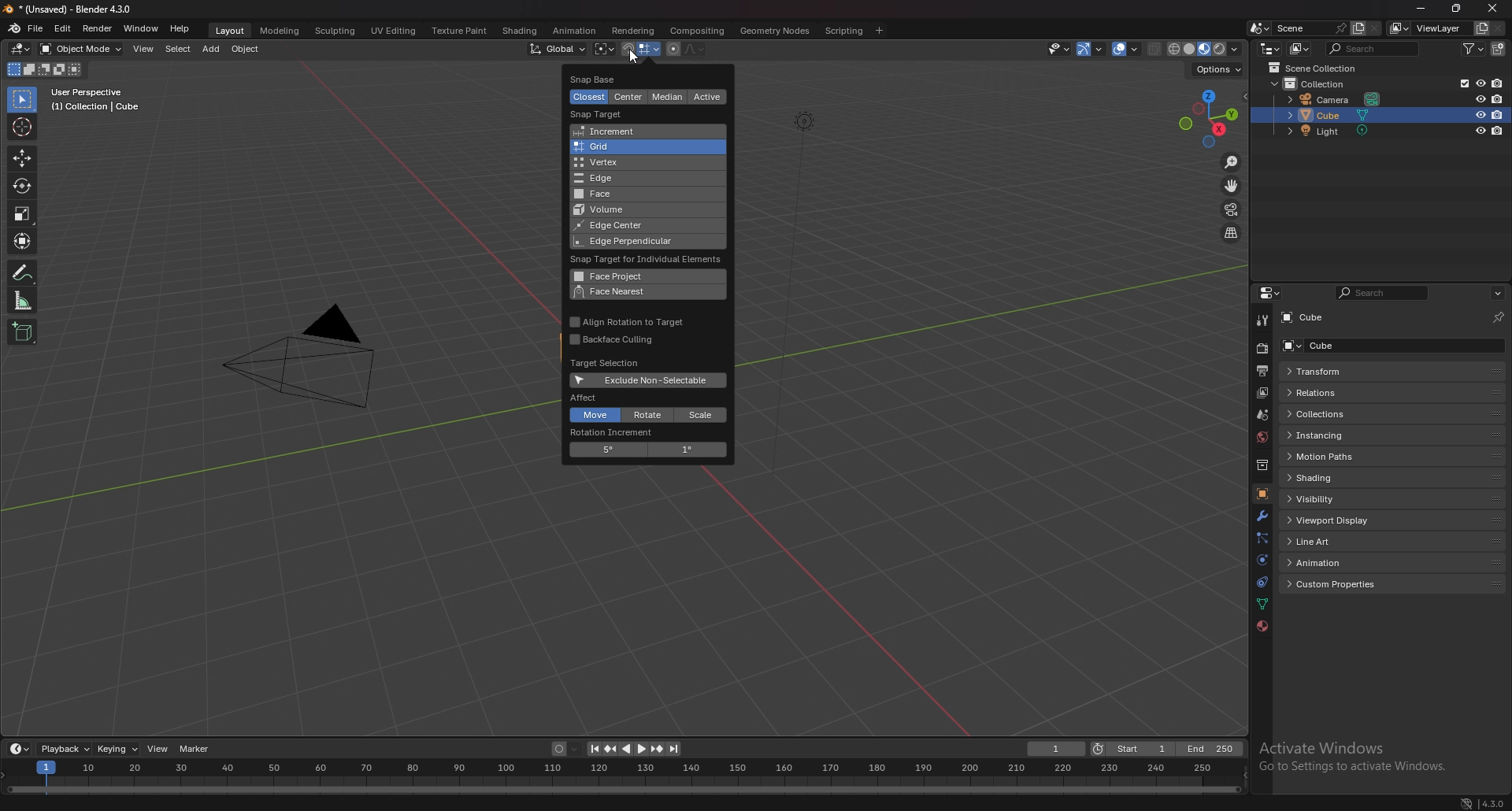 The image size is (1512, 811). What do you see at coordinates (1299, 48) in the screenshot?
I see `display mode` at bounding box center [1299, 48].